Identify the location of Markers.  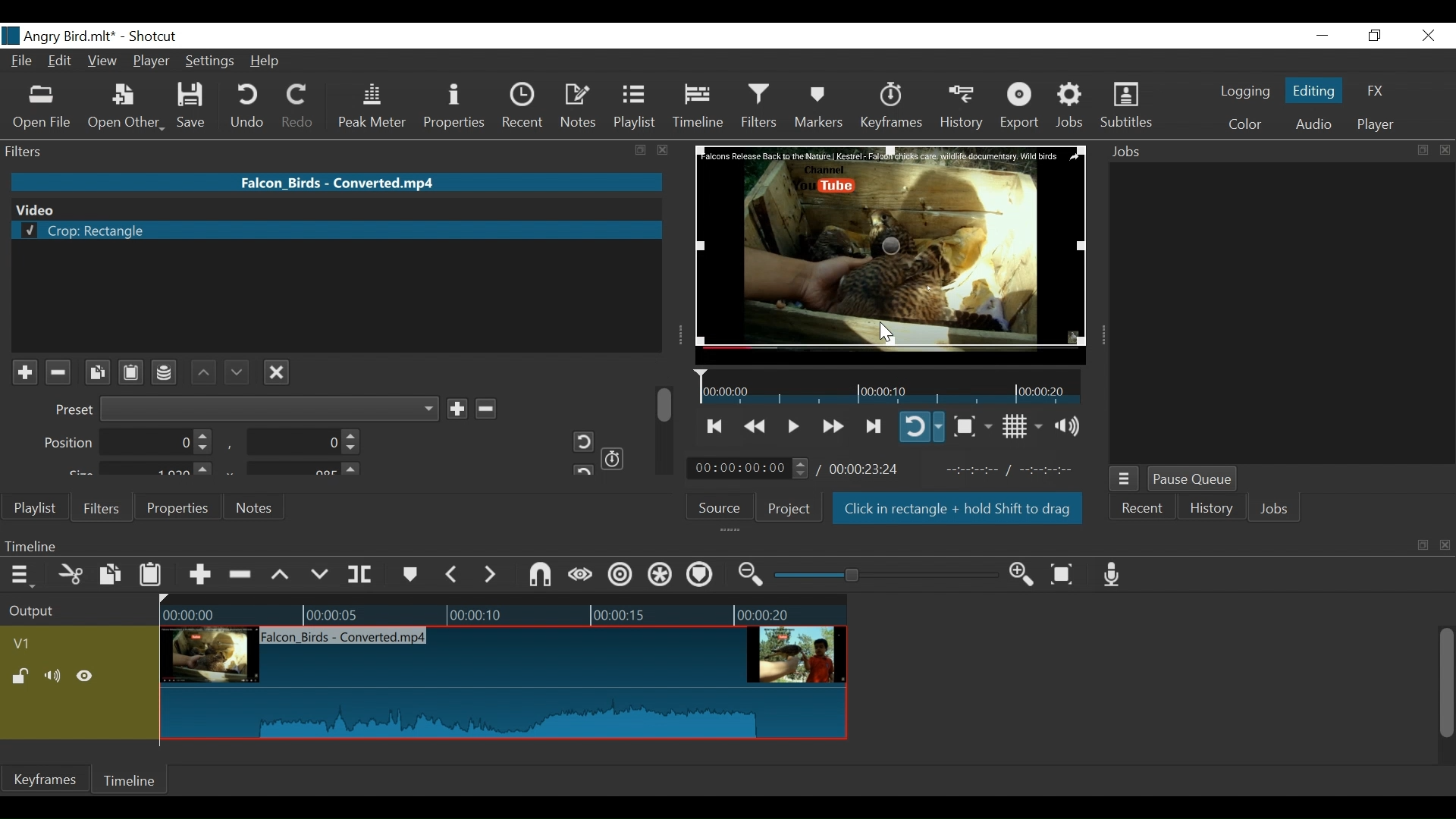
(818, 106).